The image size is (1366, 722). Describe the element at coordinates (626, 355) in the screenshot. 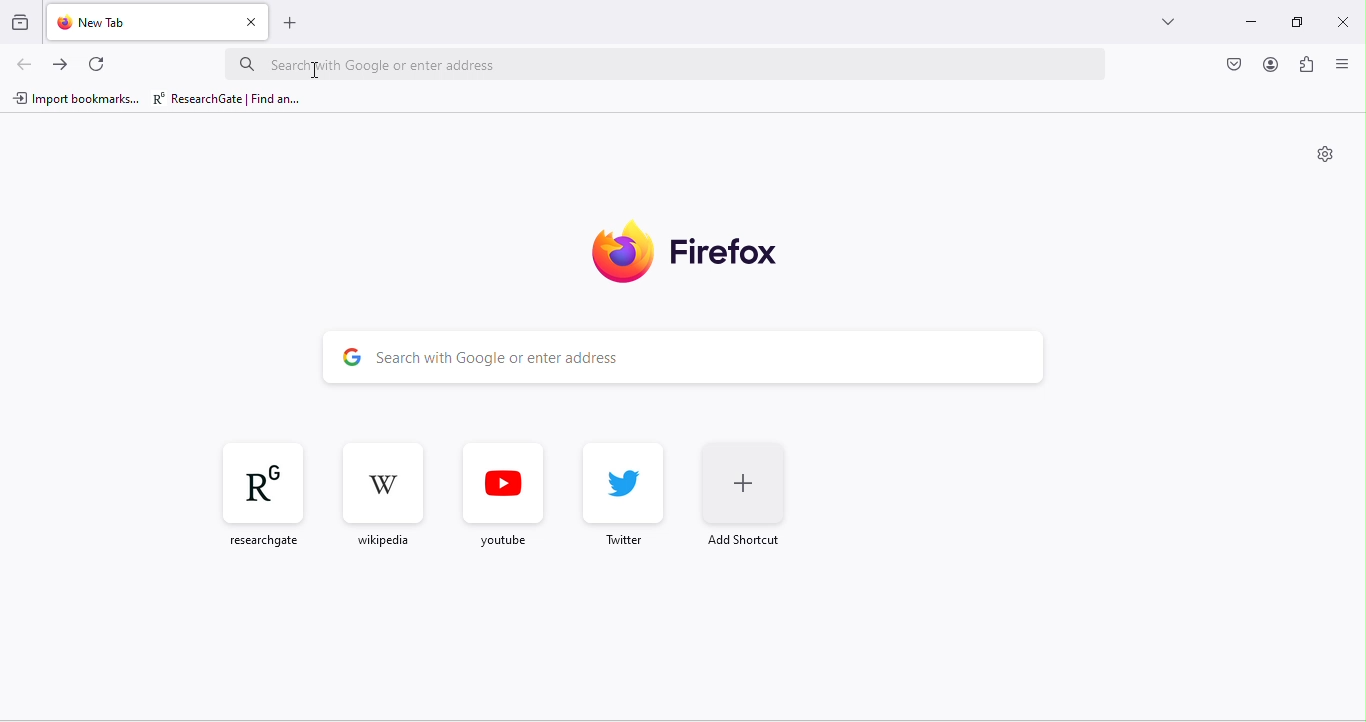

I see `search bar` at that location.